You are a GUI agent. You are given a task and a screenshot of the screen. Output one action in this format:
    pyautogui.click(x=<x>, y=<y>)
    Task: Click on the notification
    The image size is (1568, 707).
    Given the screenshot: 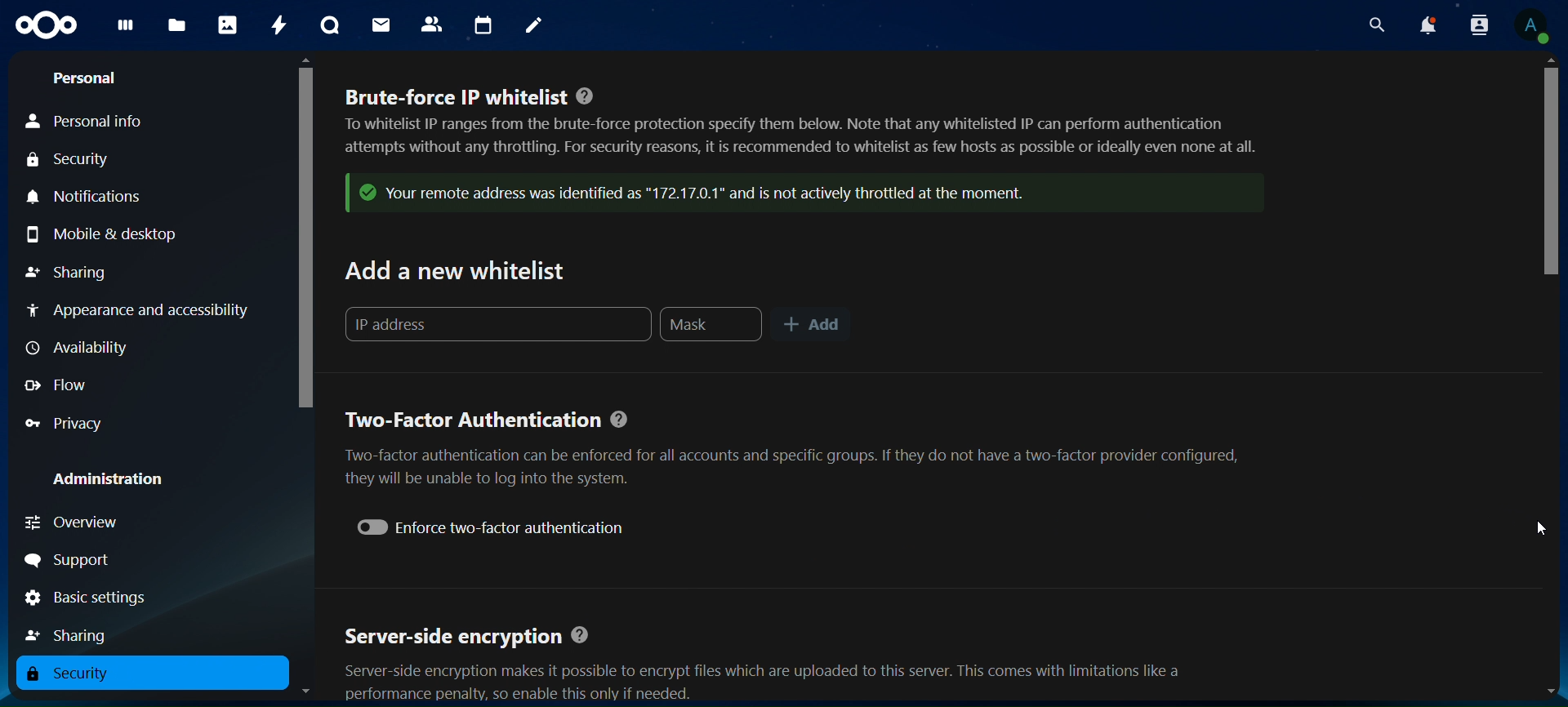 What is the action you would take?
    pyautogui.click(x=1476, y=24)
    